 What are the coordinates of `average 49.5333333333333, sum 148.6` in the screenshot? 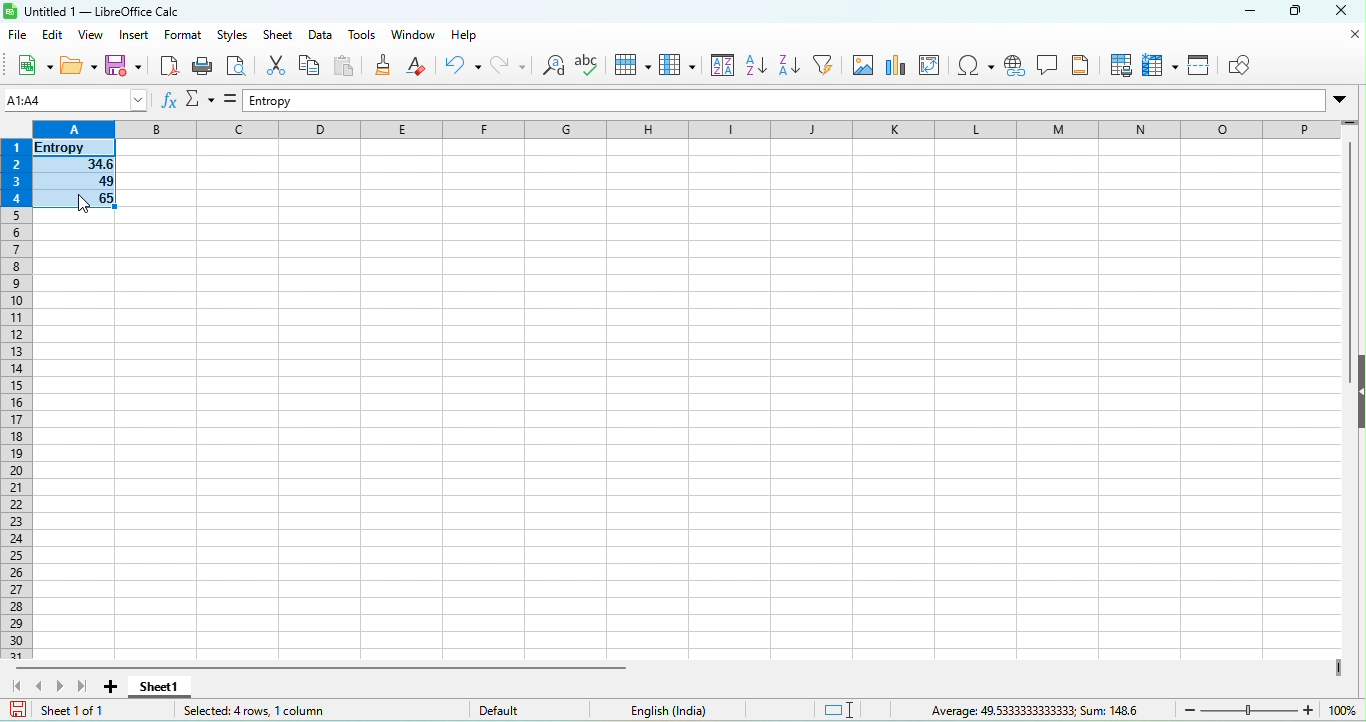 It's located at (1033, 711).